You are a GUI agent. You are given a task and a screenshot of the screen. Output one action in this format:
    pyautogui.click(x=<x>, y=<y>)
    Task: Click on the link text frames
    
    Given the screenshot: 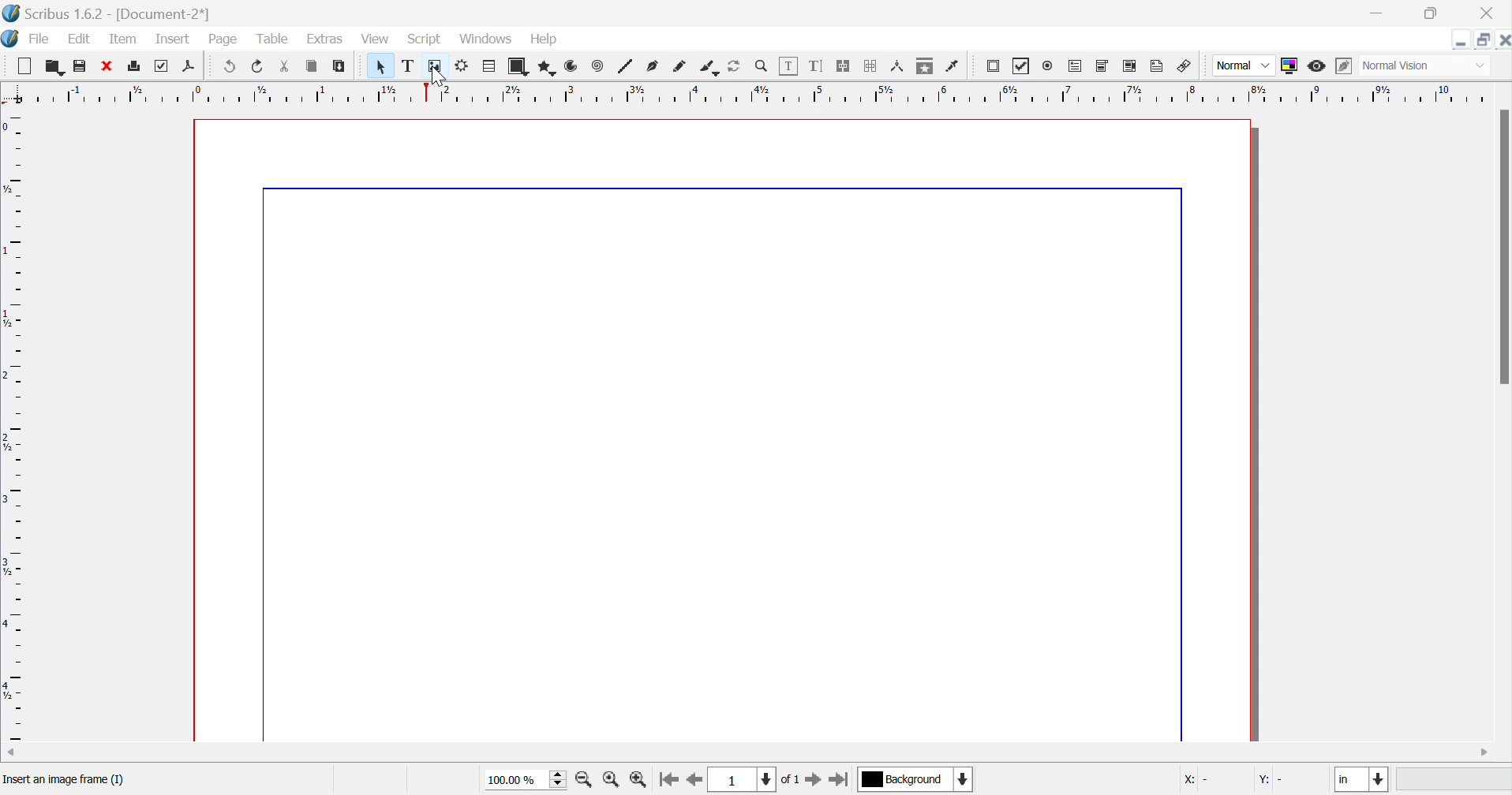 What is the action you would take?
    pyautogui.click(x=844, y=66)
    